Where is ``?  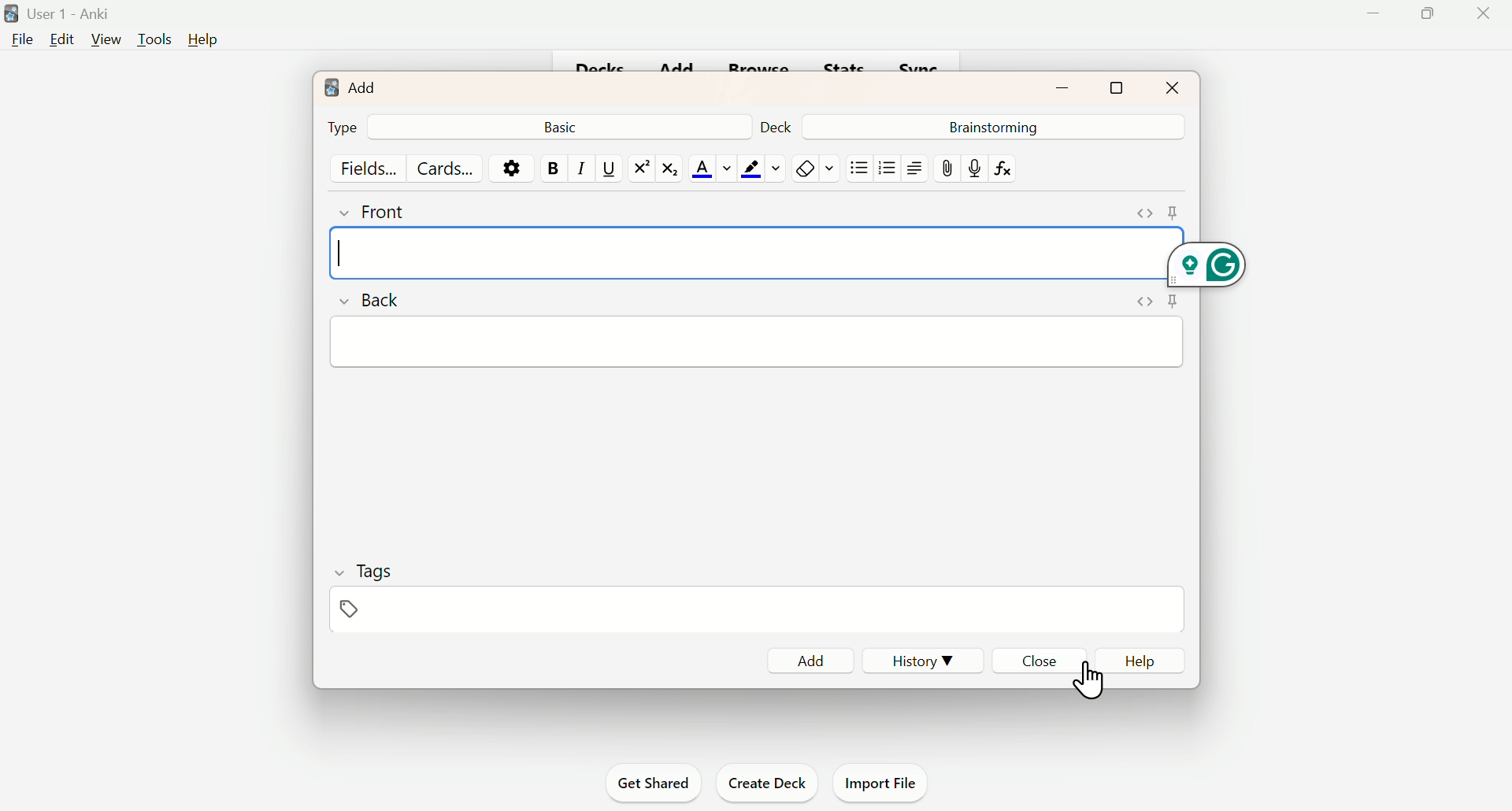
 is located at coordinates (24, 39).